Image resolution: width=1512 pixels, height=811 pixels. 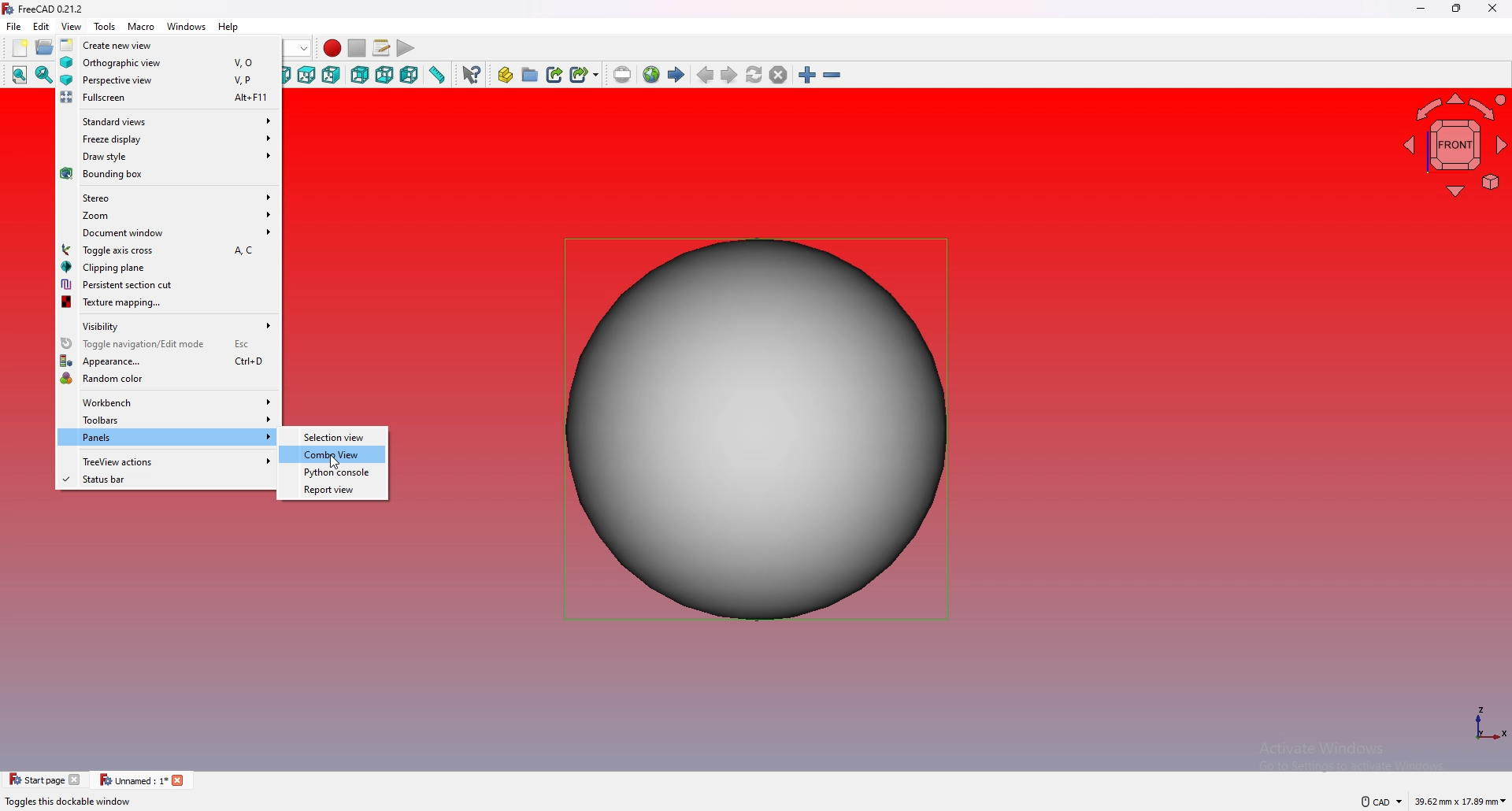 What do you see at coordinates (530, 75) in the screenshot?
I see `create group` at bounding box center [530, 75].